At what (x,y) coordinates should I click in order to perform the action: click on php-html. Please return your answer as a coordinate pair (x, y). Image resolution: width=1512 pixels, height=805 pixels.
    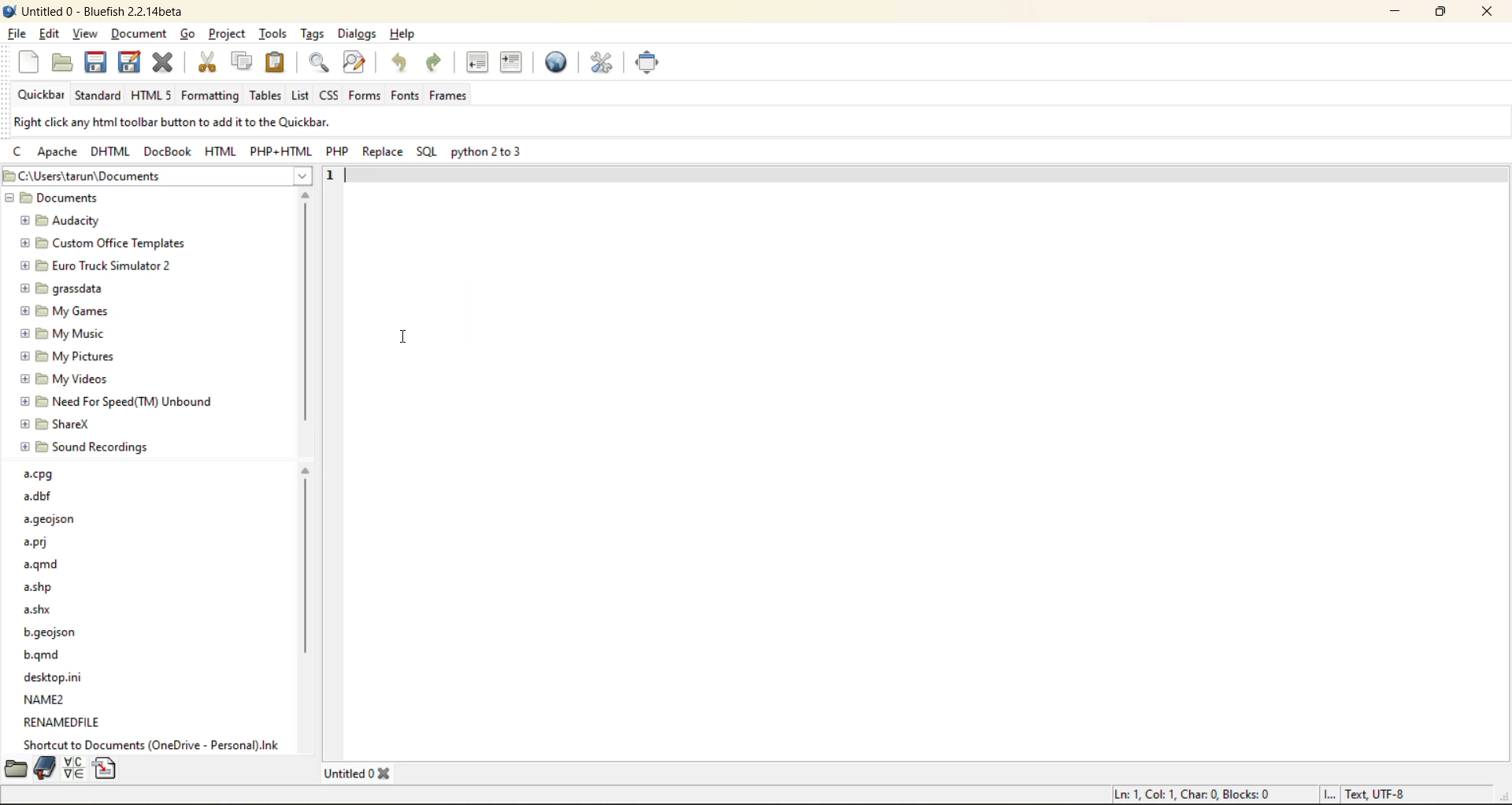
    Looking at the image, I should click on (278, 150).